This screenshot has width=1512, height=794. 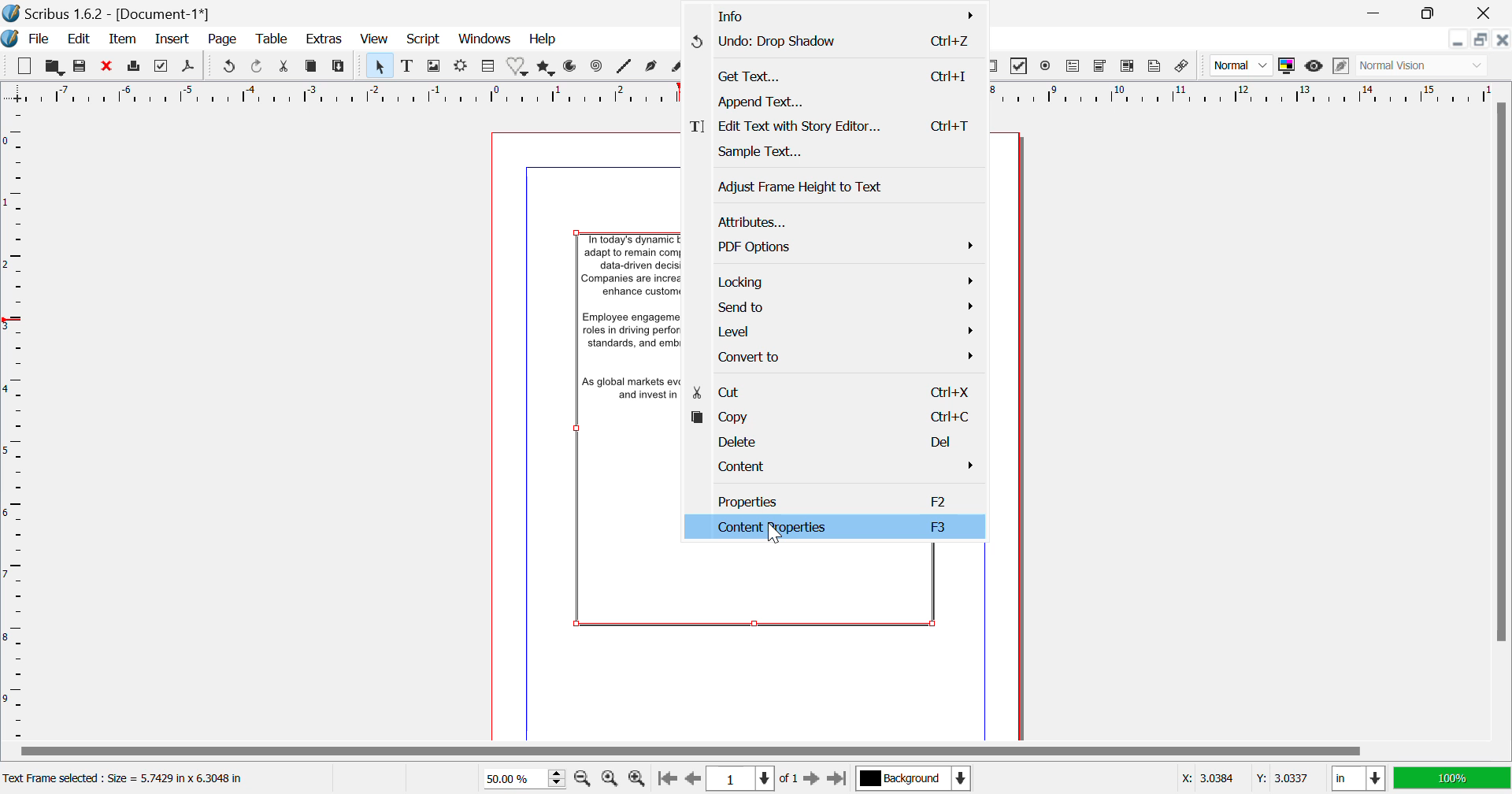 I want to click on Cut, so click(x=287, y=67).